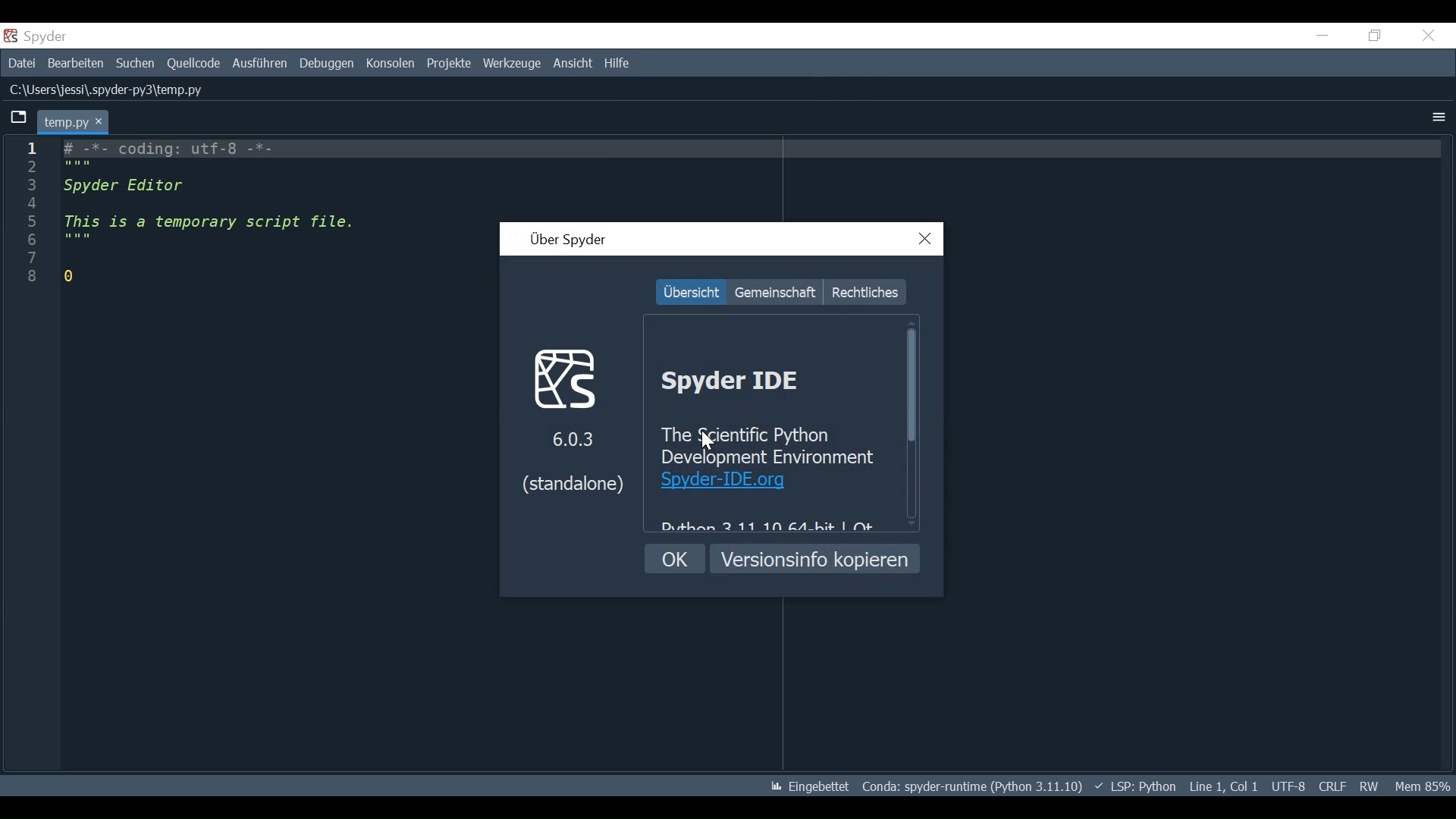 The height and width of the screenshot is (819, 1456). I want to click on Vertical Sroll bar, so click(914, 422).